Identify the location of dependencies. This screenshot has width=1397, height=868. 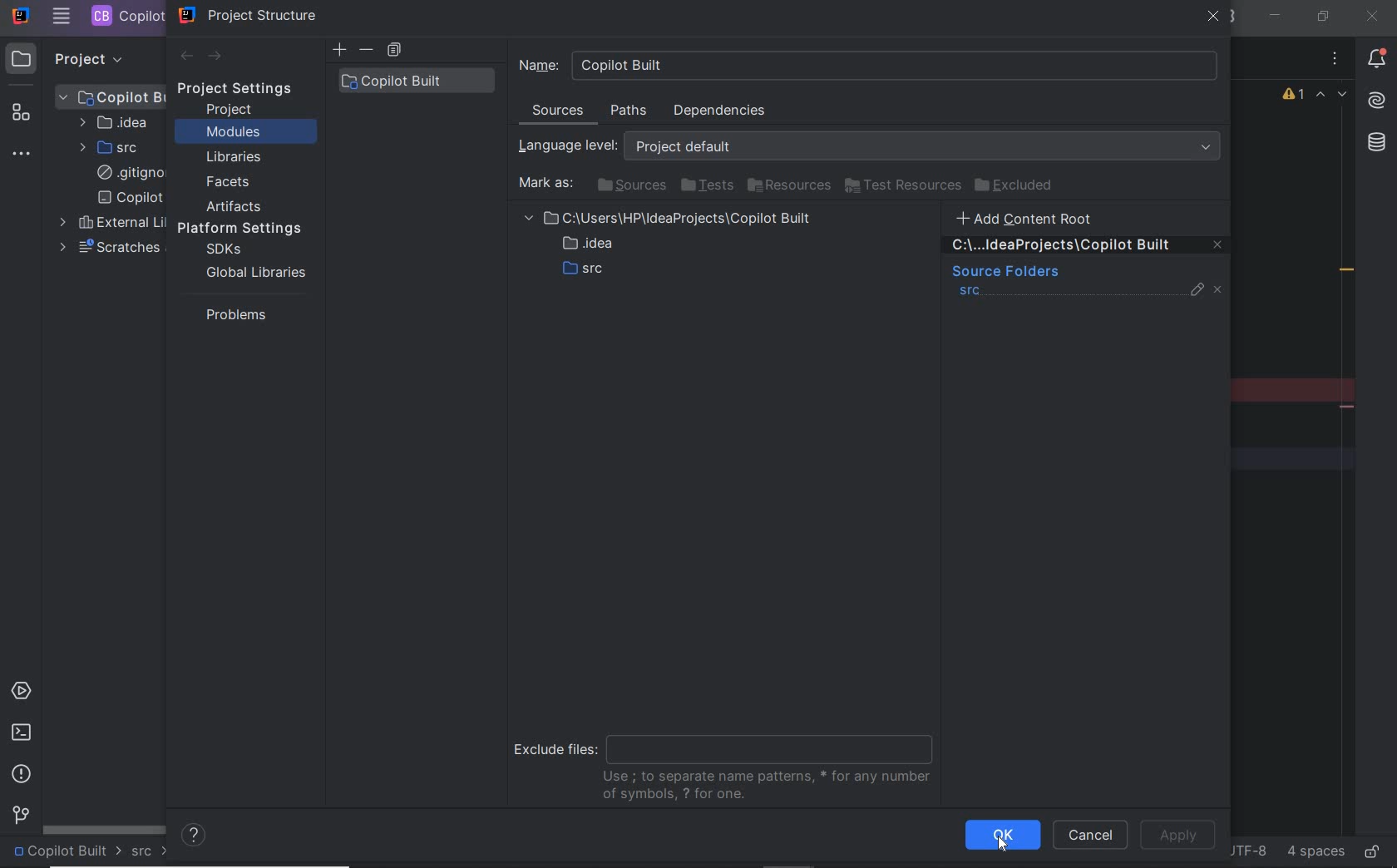
(718, 111).